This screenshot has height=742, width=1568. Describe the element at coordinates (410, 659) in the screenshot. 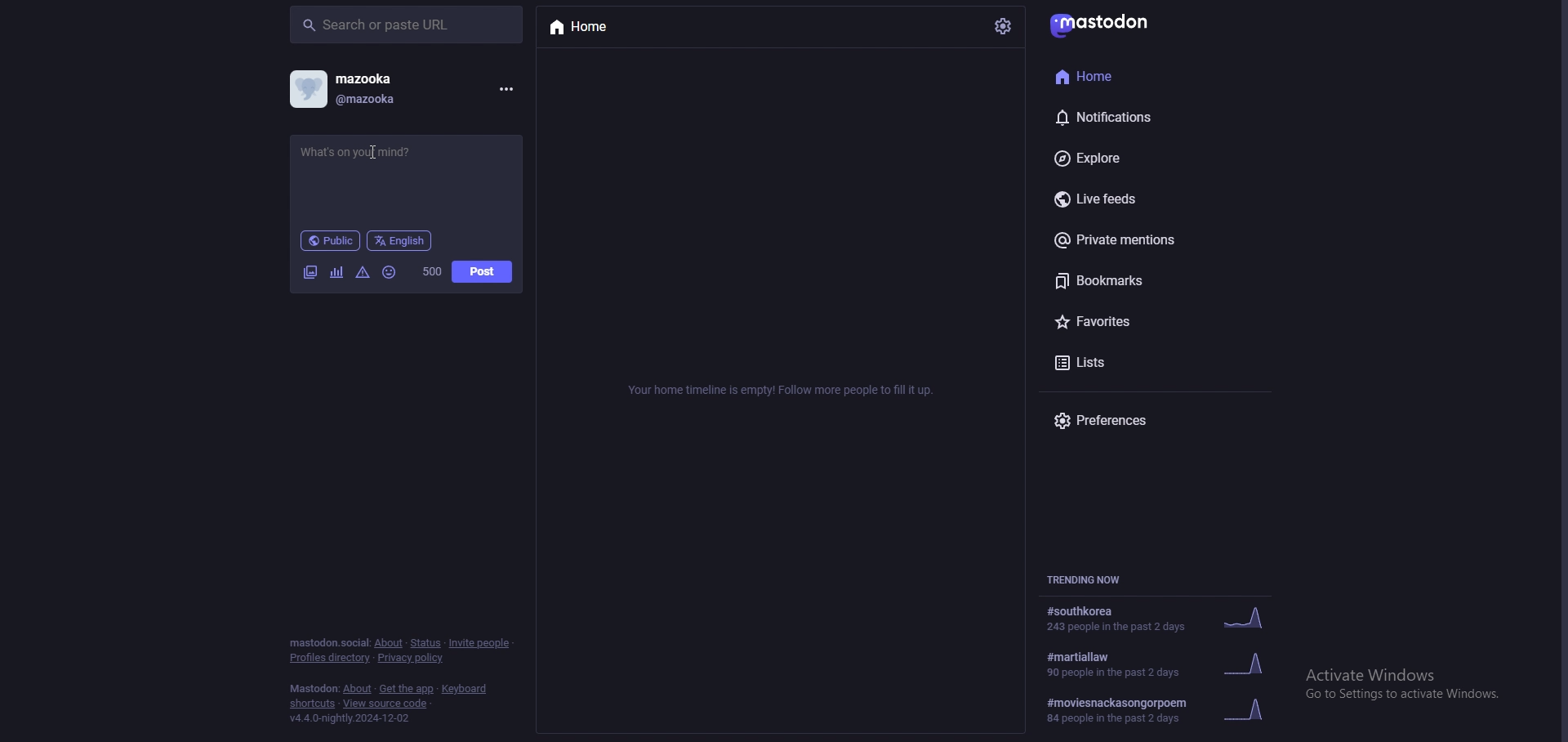

I see `privacy policy` at that location.